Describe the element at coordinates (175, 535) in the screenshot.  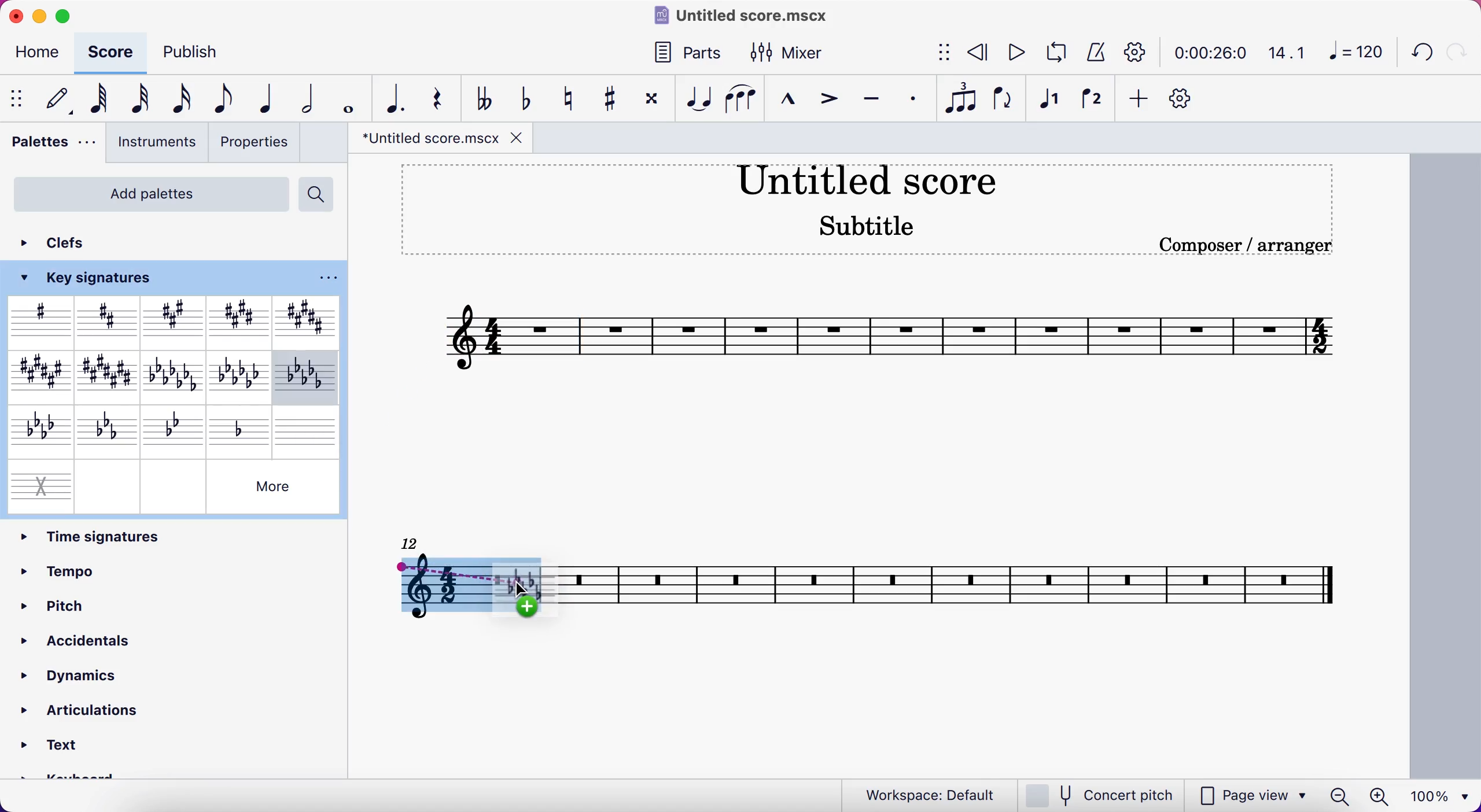
I see `time signatures` at that location.